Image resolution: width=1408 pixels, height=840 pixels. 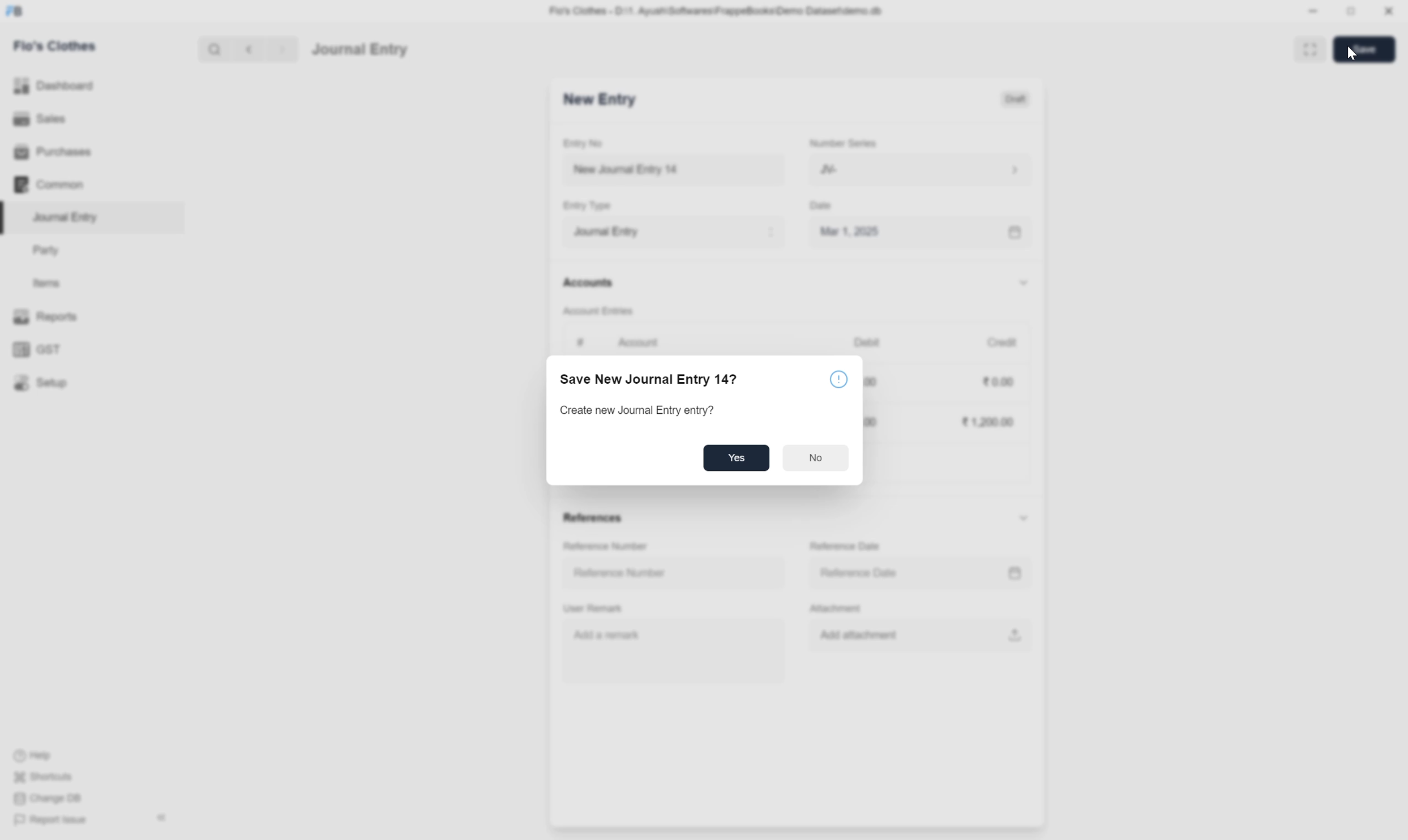 What do you see at coordinates (1017, 98) in the screenshot?
I see `Draft` at bounding box center [1017, 98].